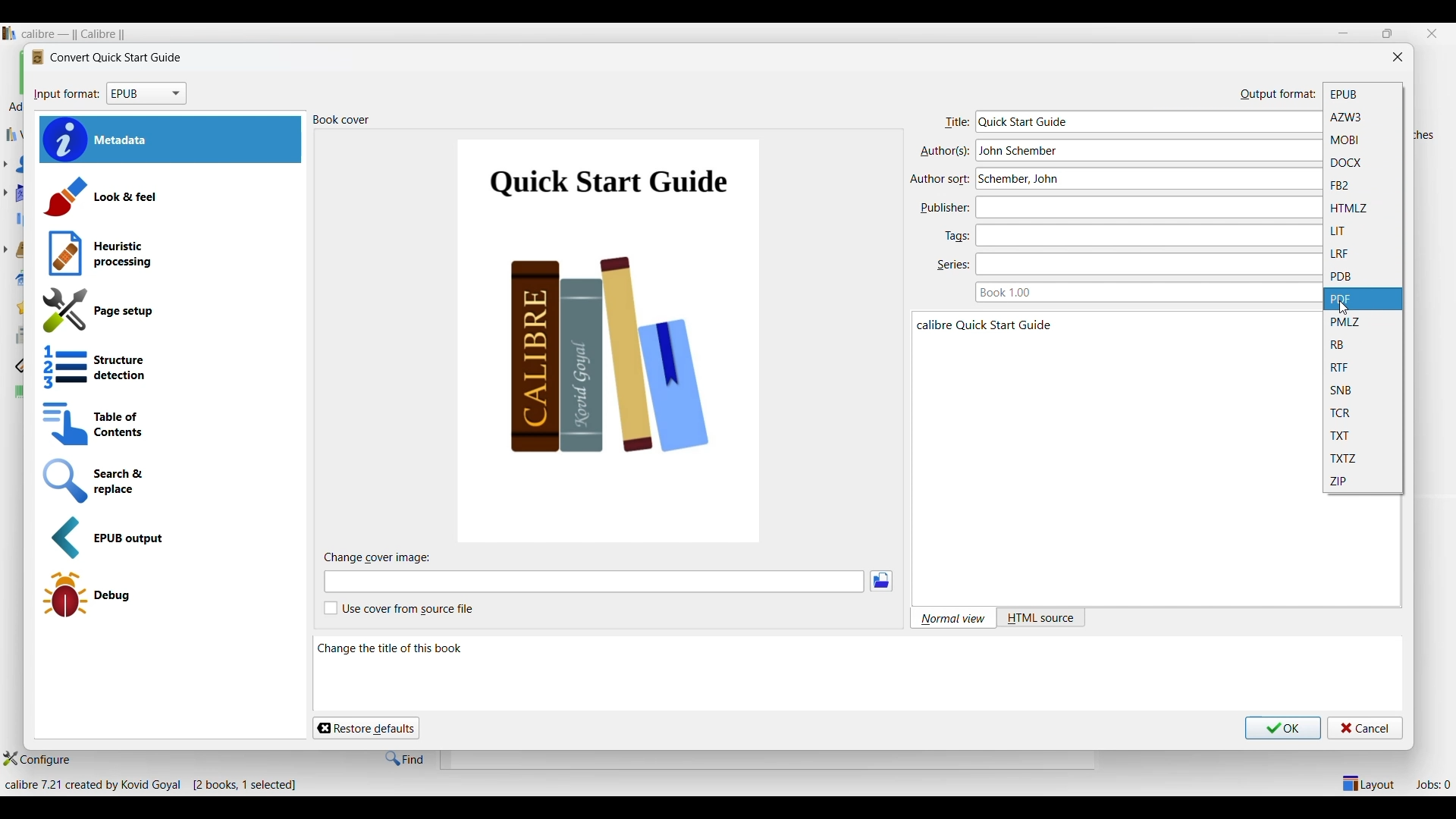 Image resolution: width=1456 pixels, height=819 pixels. Describe the element at coordinates (399, 608) in the screenshot. I see `Toggle for cover from source file` at that location.